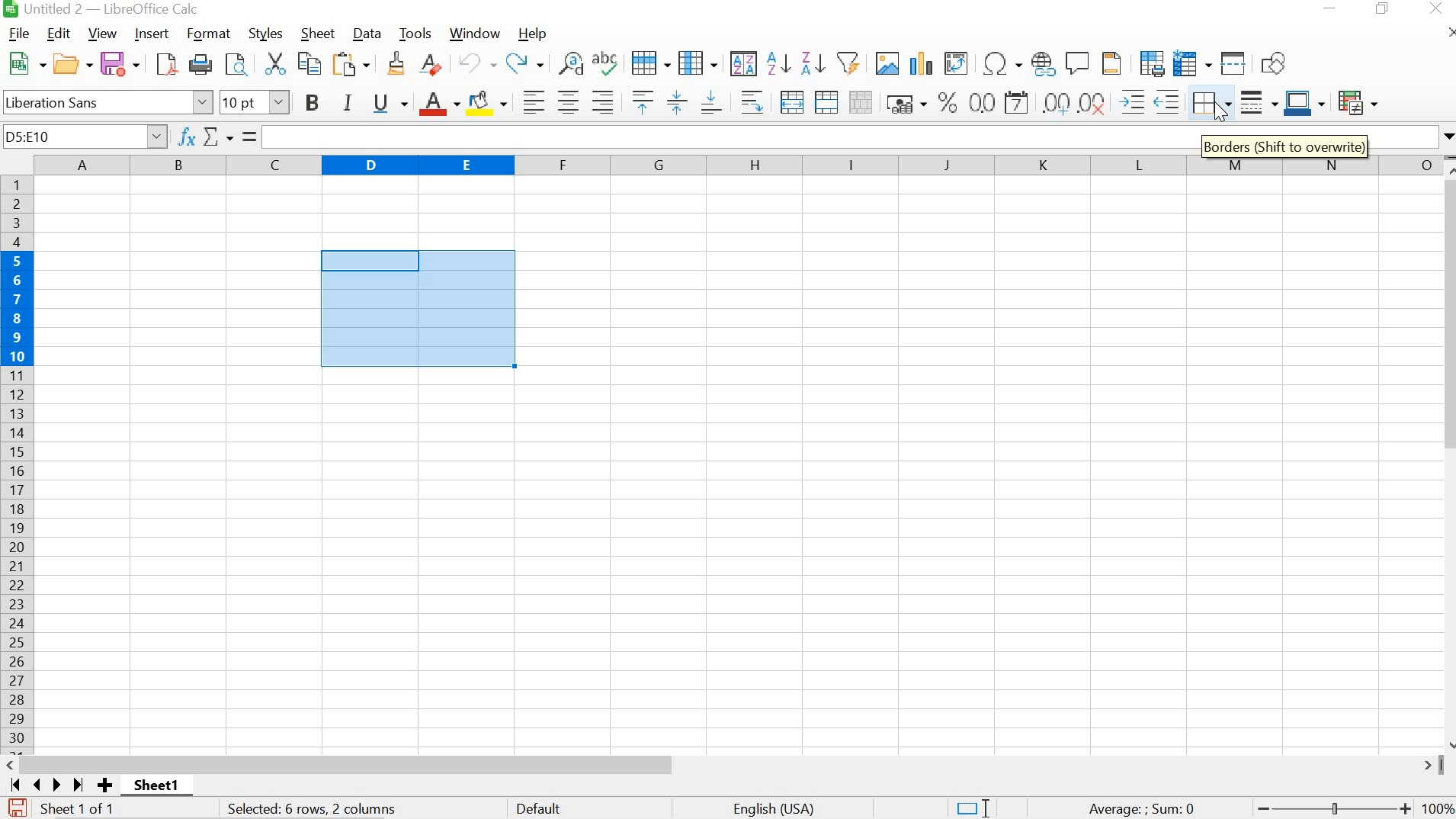  What do you see at coordinates (572, 64) in the screenshot?
I see `find and replace` at bounding box center [572, 64].